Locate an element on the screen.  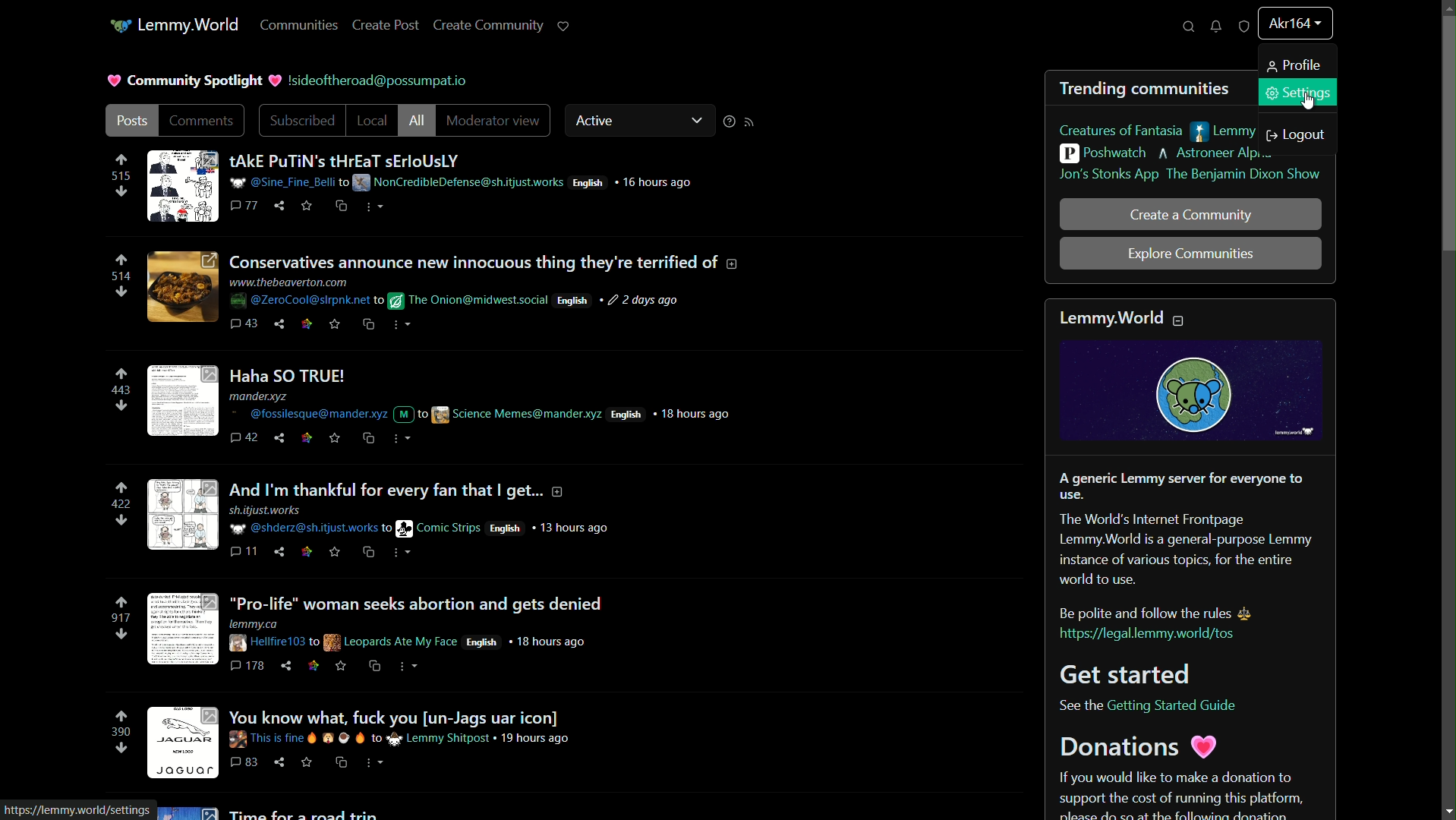
upvote is located at coordinates (121, 375).